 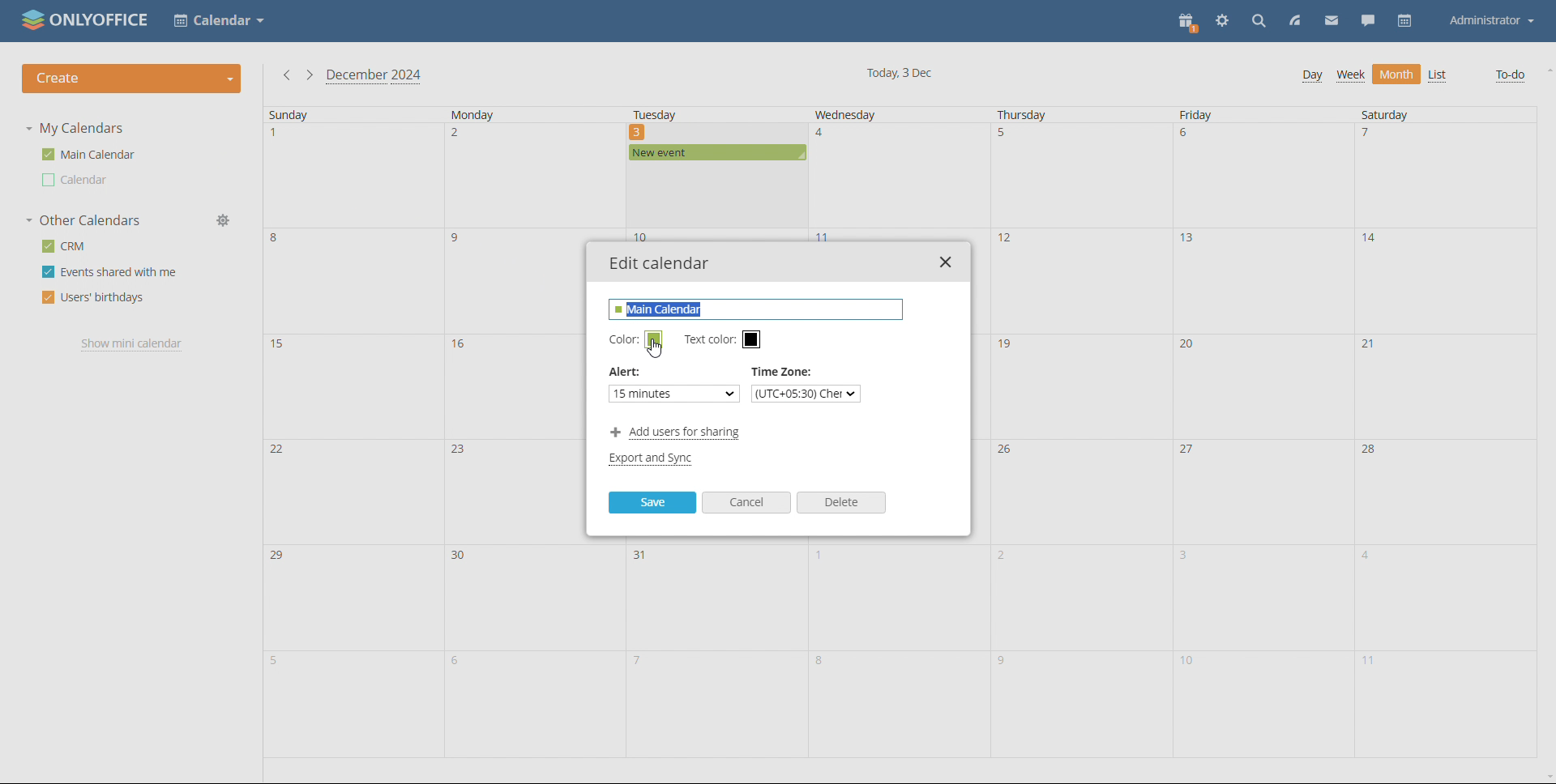 I want to click on day view, so click(x=1312, y=76).